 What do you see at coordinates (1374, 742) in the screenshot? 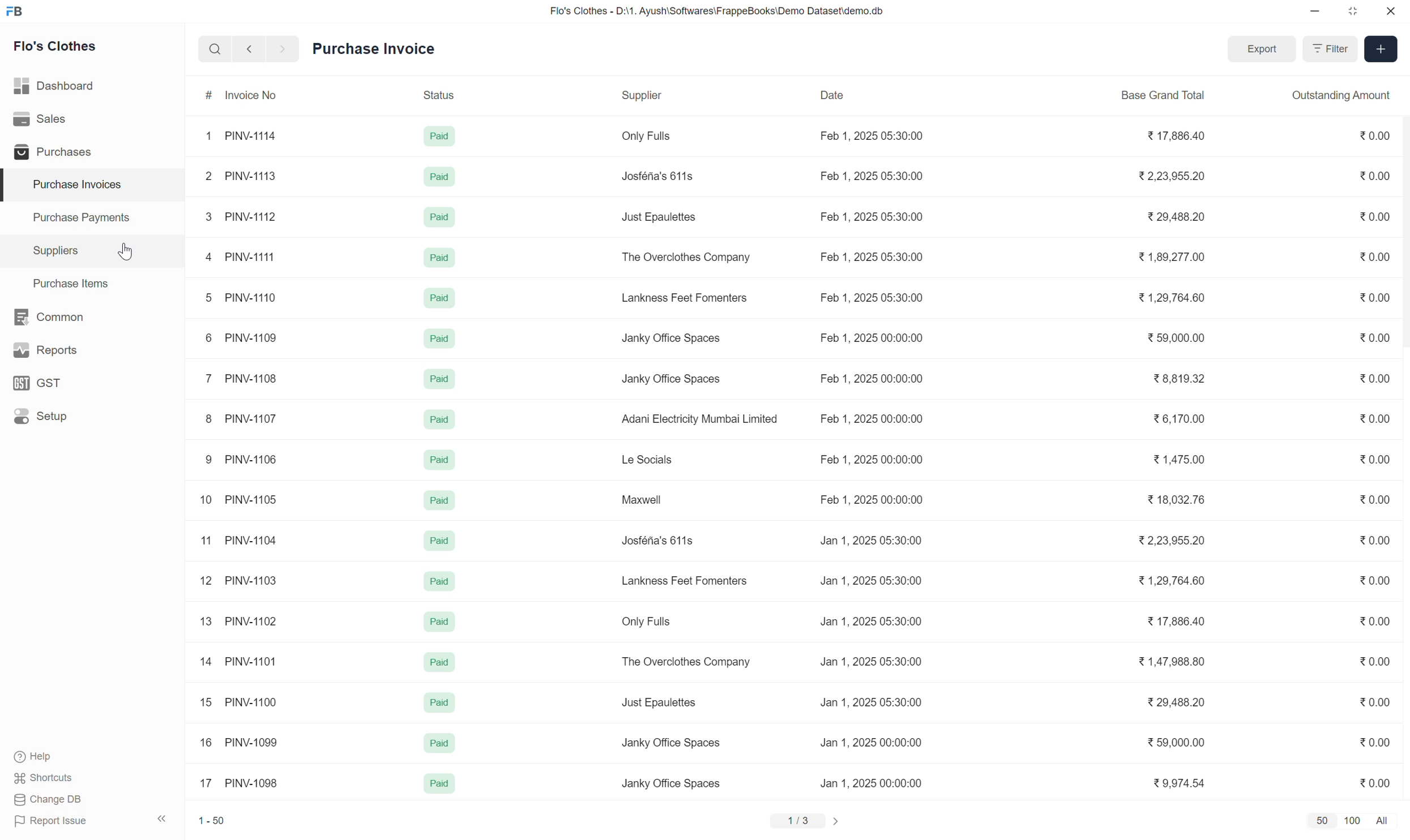
I see `0.00` at bounding box center [1374, 742].